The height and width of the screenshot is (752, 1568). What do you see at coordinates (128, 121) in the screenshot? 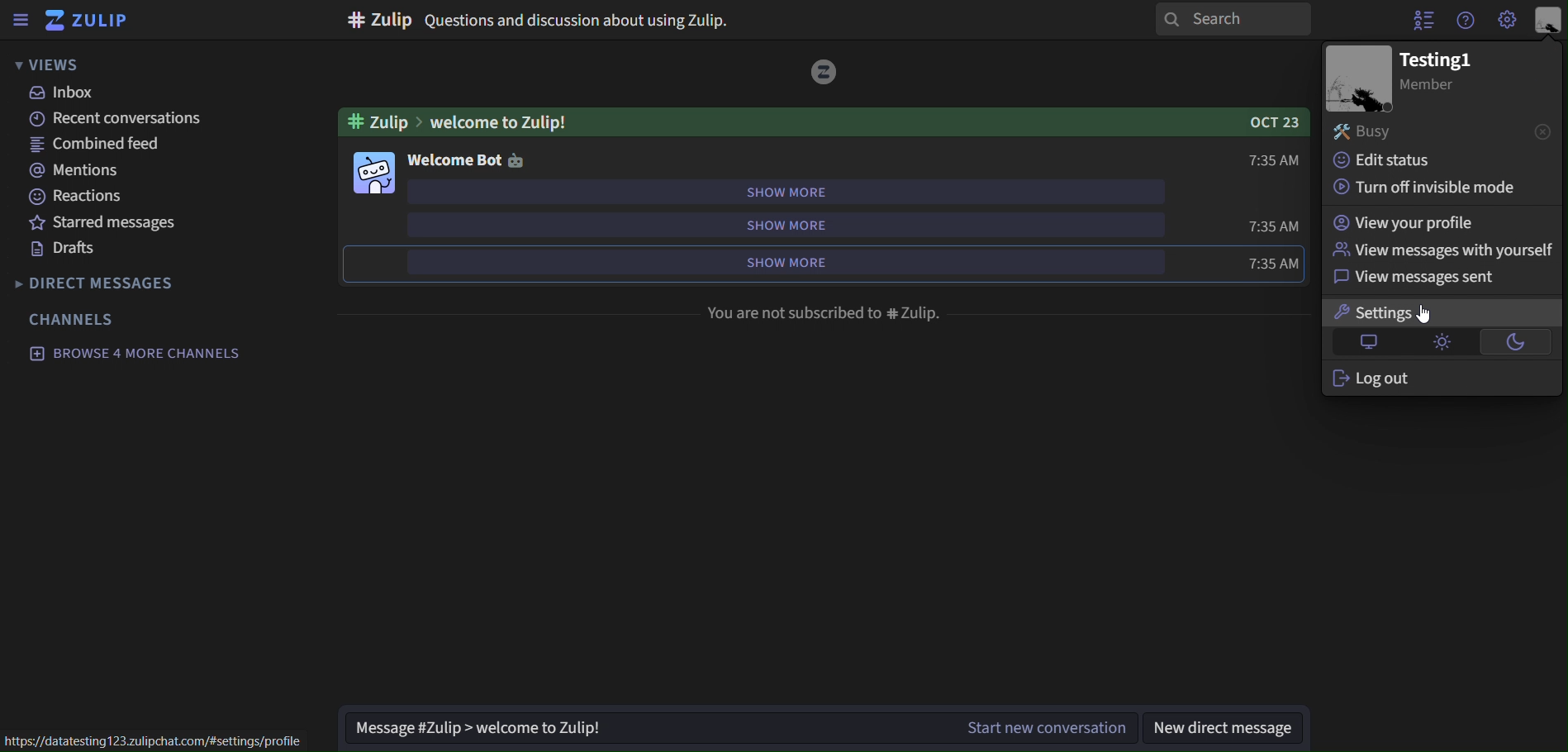
I see `recent conversations` at bounding box center [128, 121].